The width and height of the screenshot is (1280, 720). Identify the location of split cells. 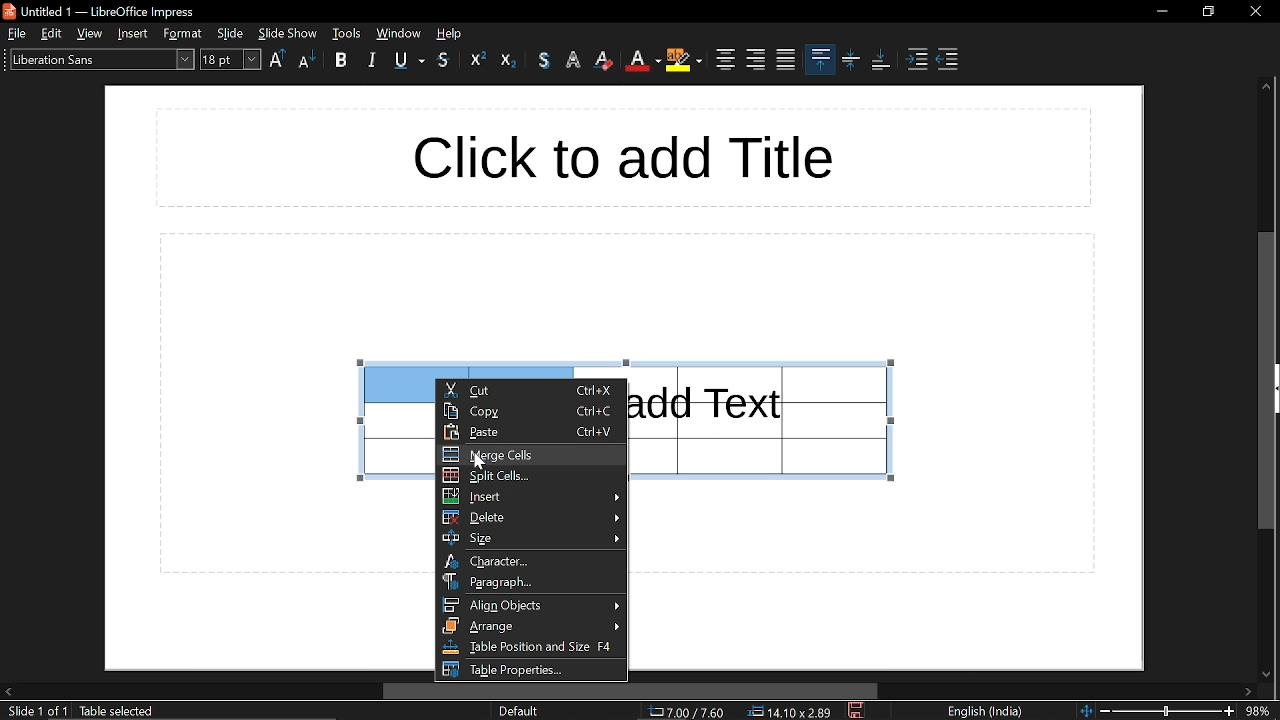
(531, 475).